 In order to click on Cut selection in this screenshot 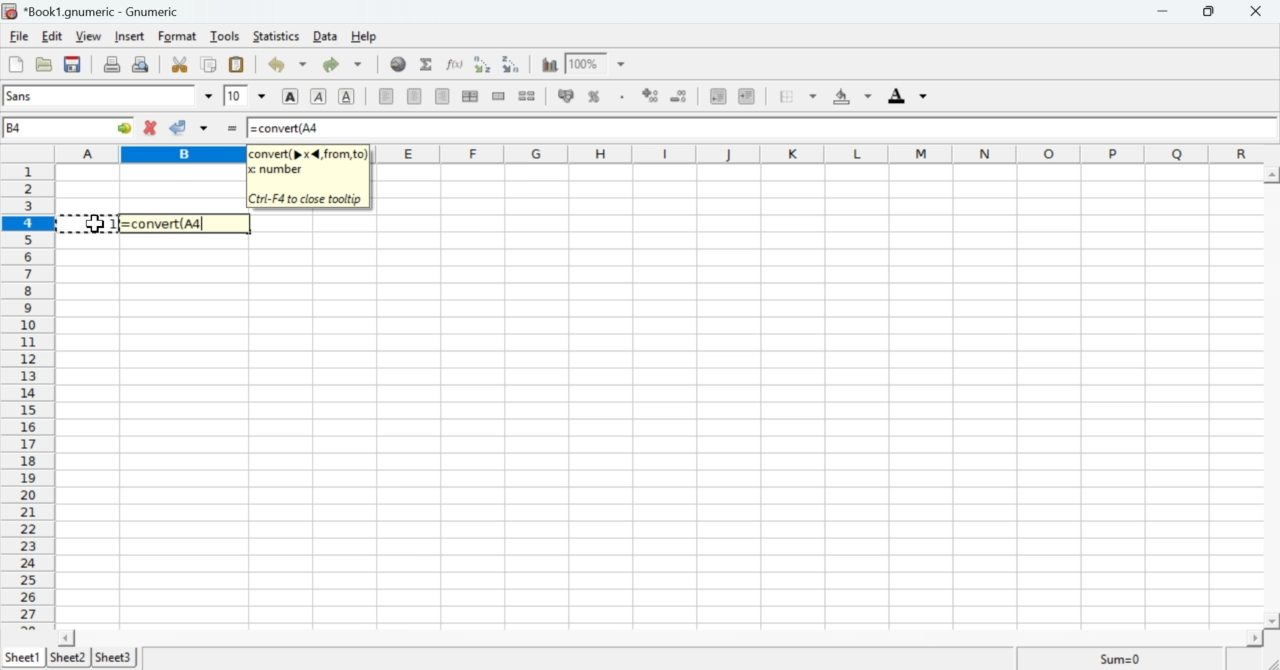, I will do `click(178, 65)`.